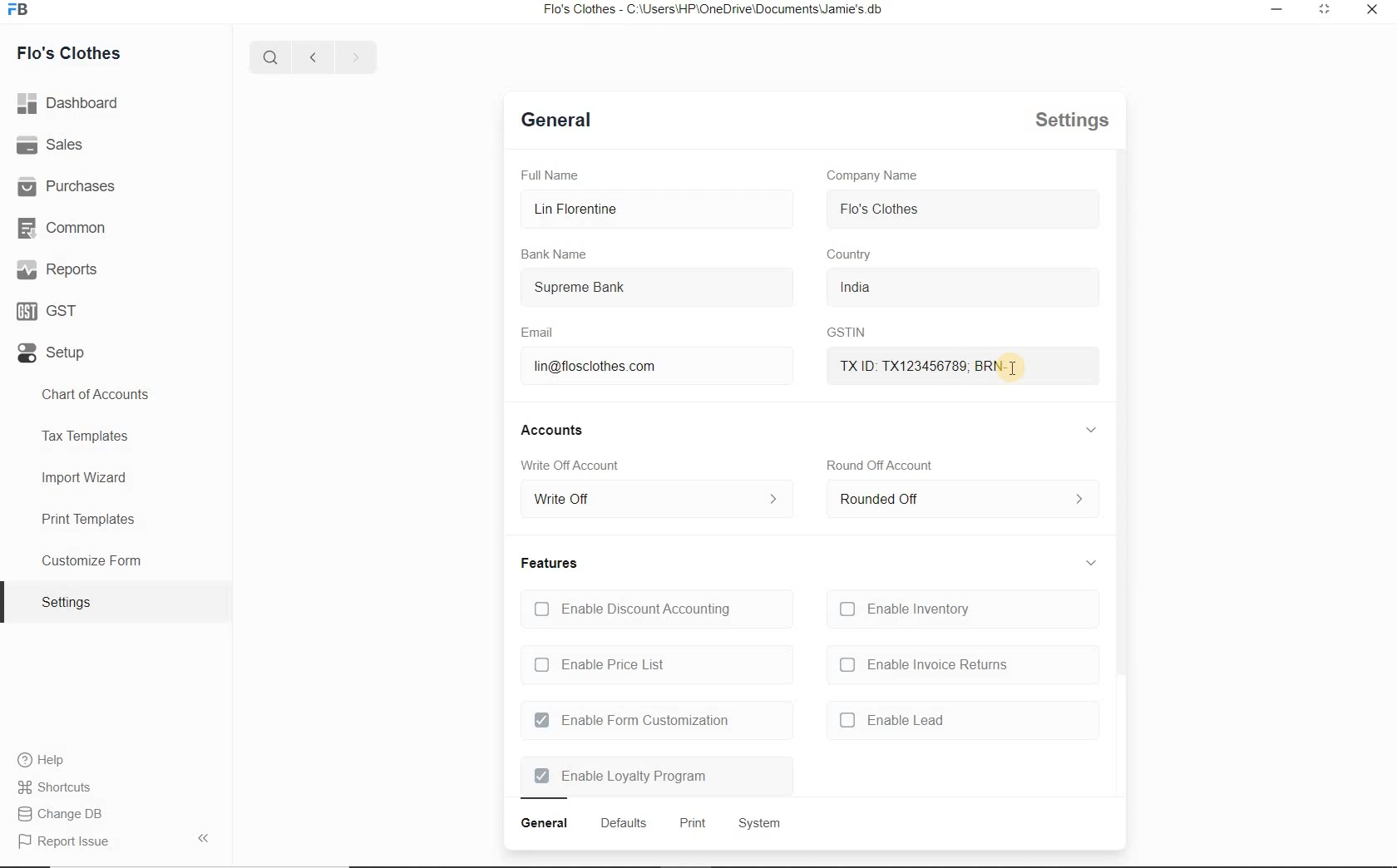 The image size is (1397, 868). I want to click on system, so click(758, 822).